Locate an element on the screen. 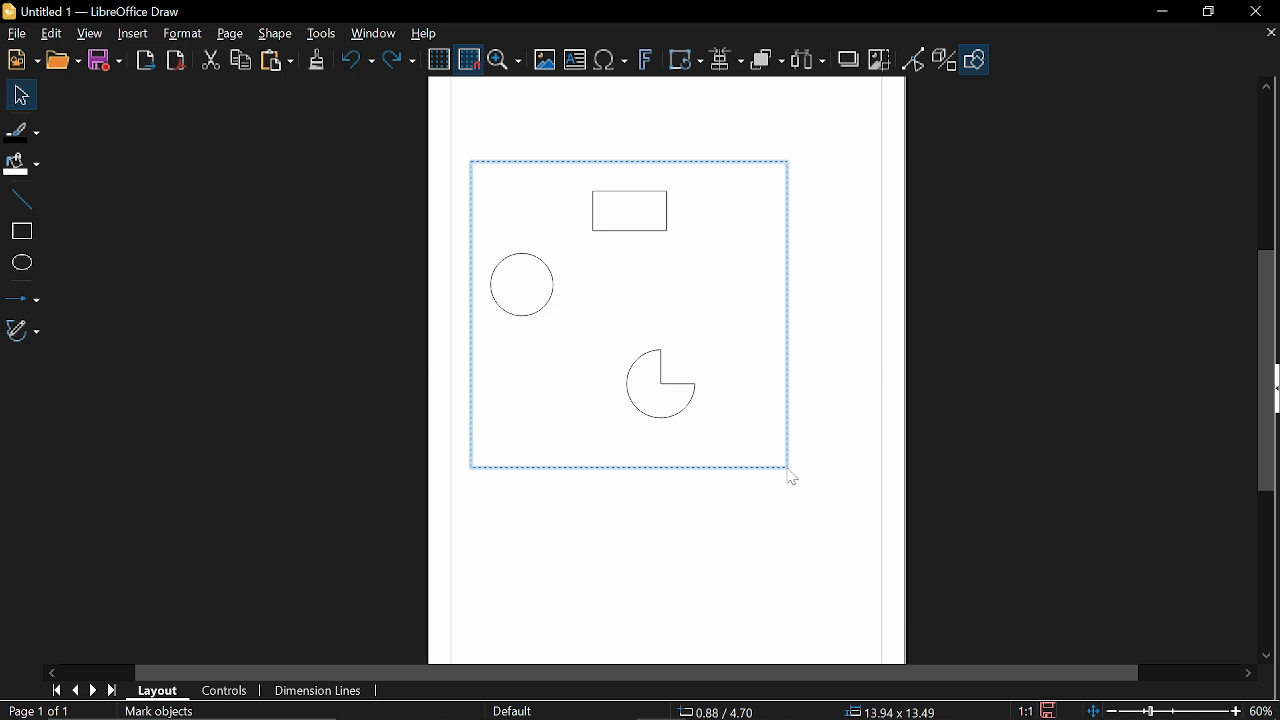  Insert fontwork is located at coordinates (642, 62).